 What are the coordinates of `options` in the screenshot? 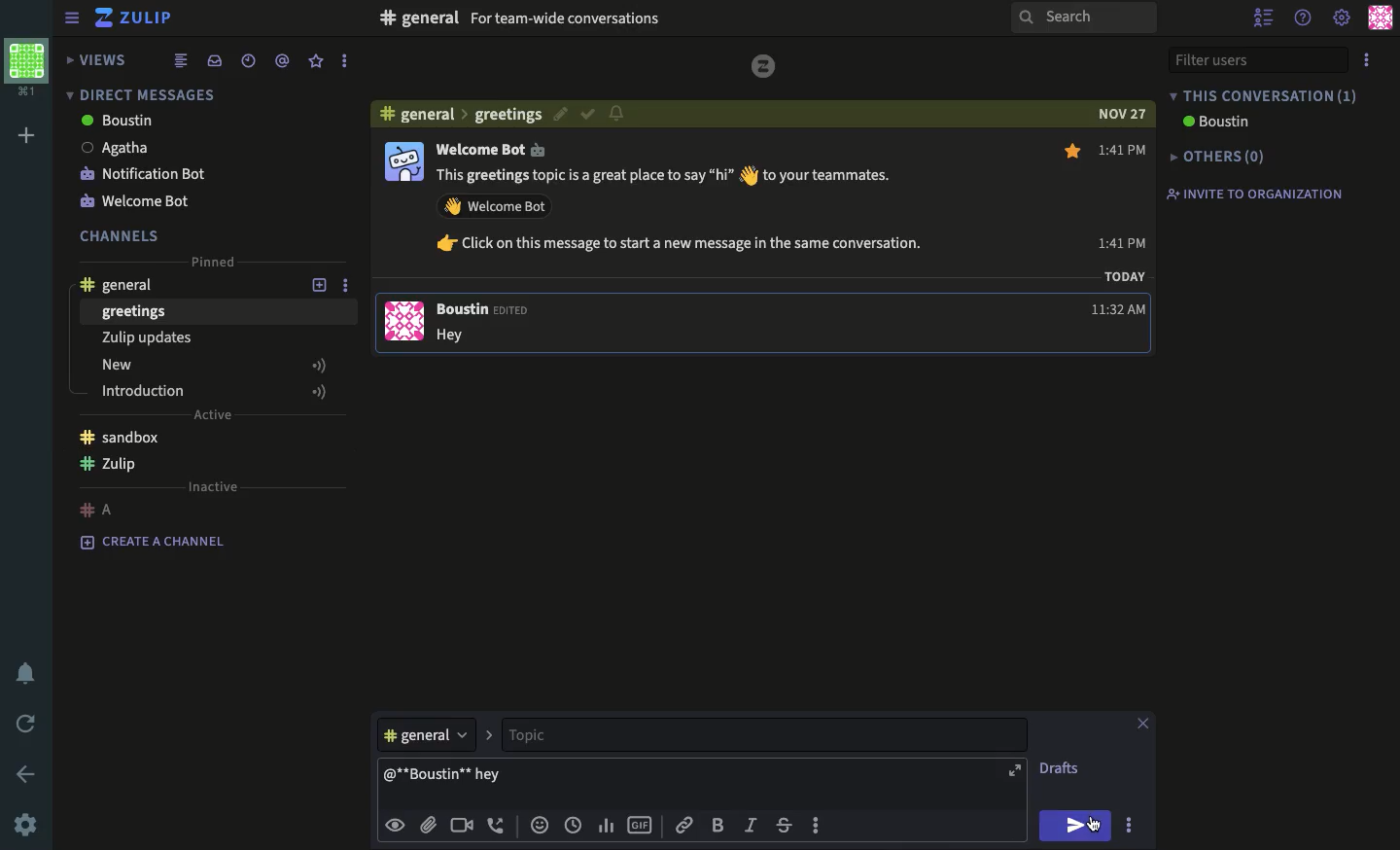 It's located at (818, 824).